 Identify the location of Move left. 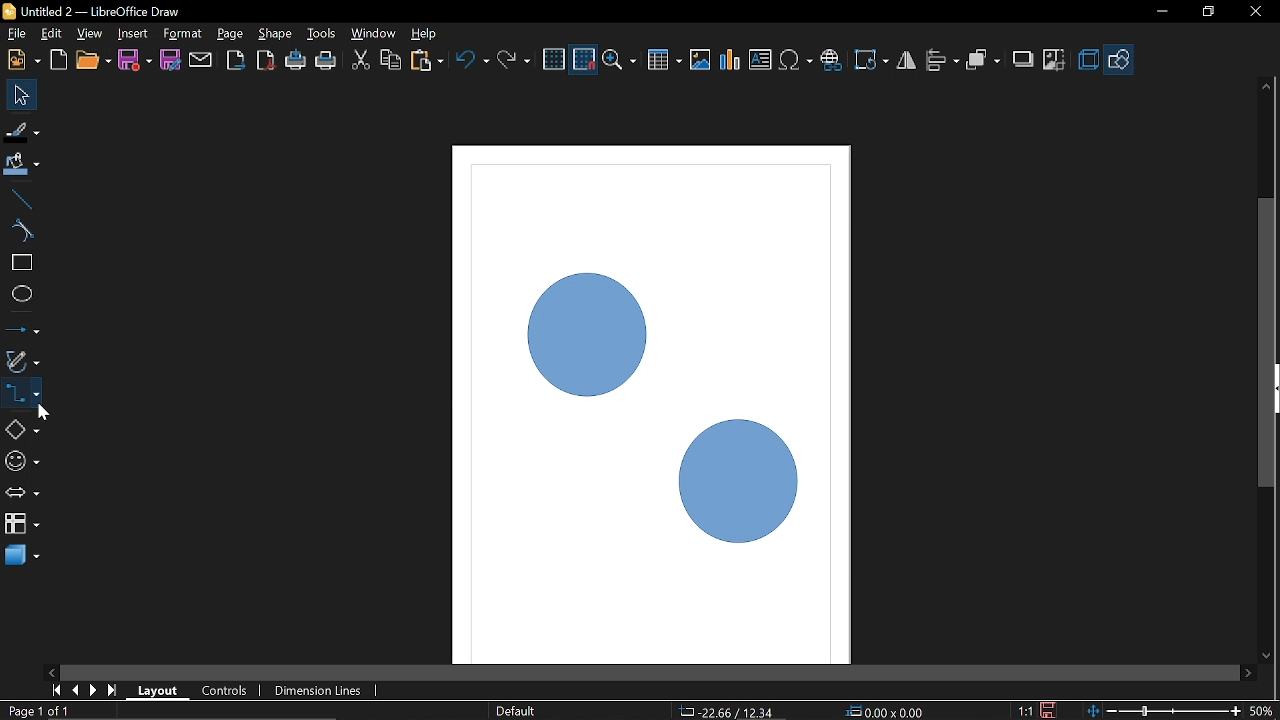
(51, 672).